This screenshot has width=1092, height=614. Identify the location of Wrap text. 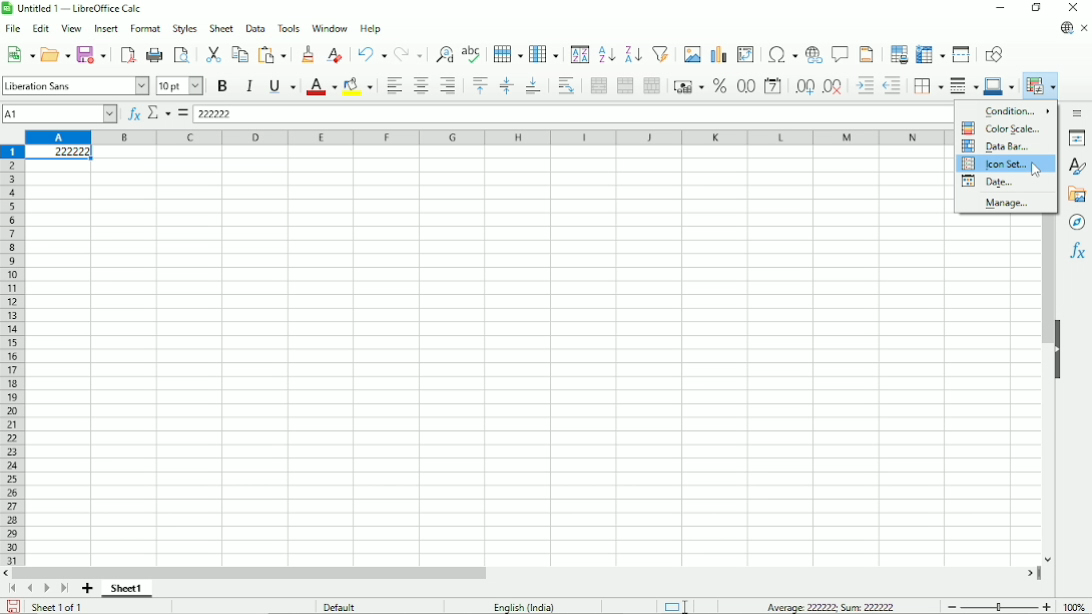
(566, 85).